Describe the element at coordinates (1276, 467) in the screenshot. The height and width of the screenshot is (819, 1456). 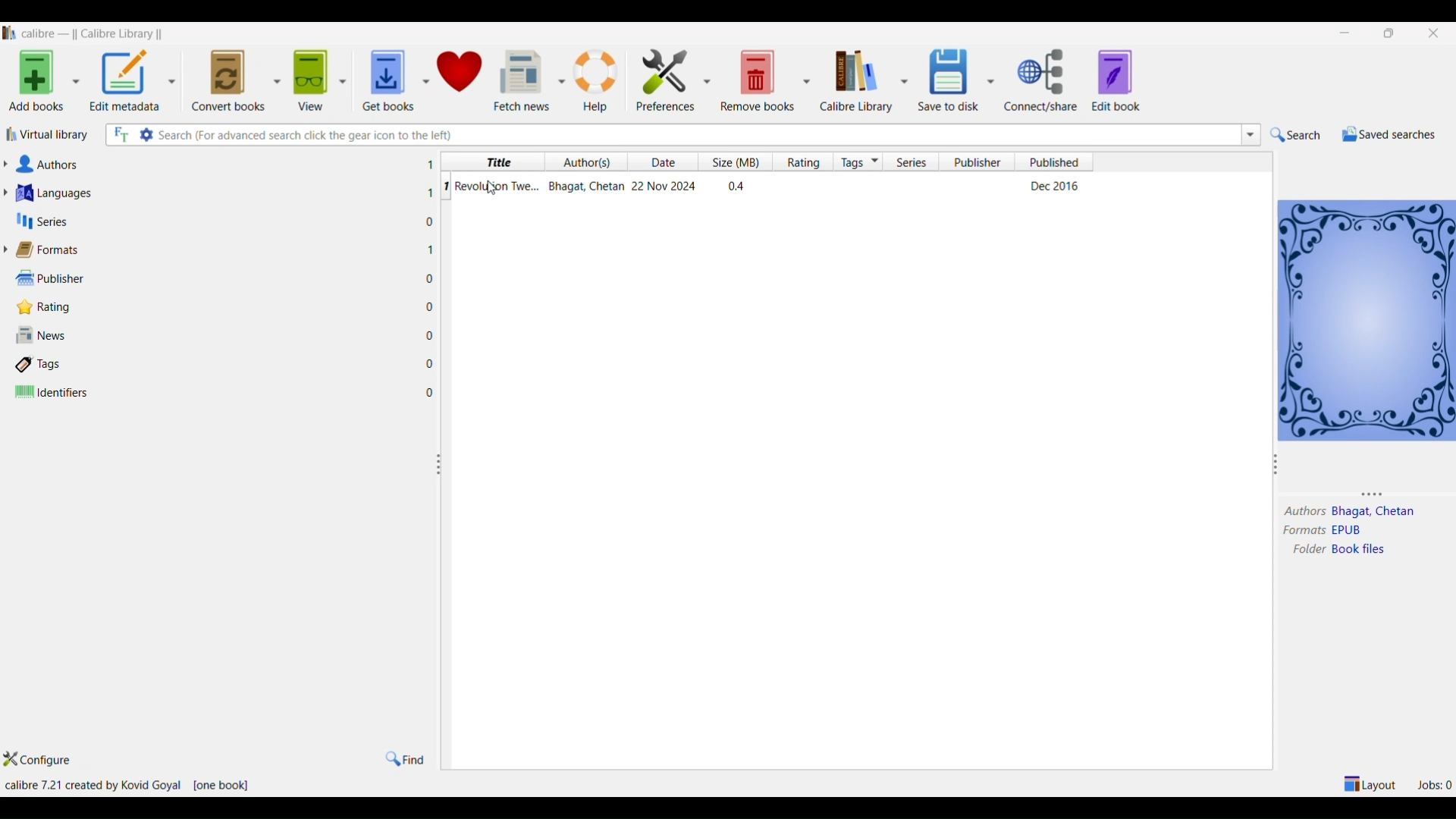
I see `resize` at that location.